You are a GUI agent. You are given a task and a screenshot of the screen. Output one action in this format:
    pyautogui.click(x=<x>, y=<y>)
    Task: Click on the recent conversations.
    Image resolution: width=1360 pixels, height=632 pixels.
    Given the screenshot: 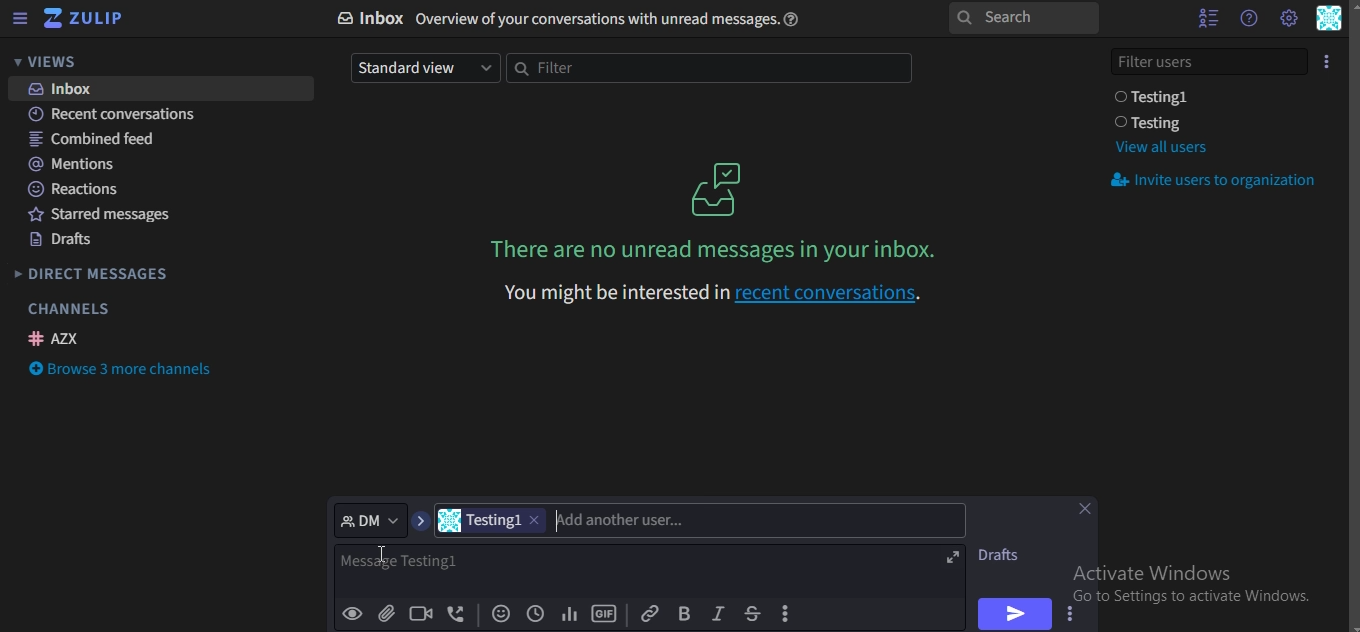 What is the action you would take?
    pyautogui.click(x=710, y=291)
    